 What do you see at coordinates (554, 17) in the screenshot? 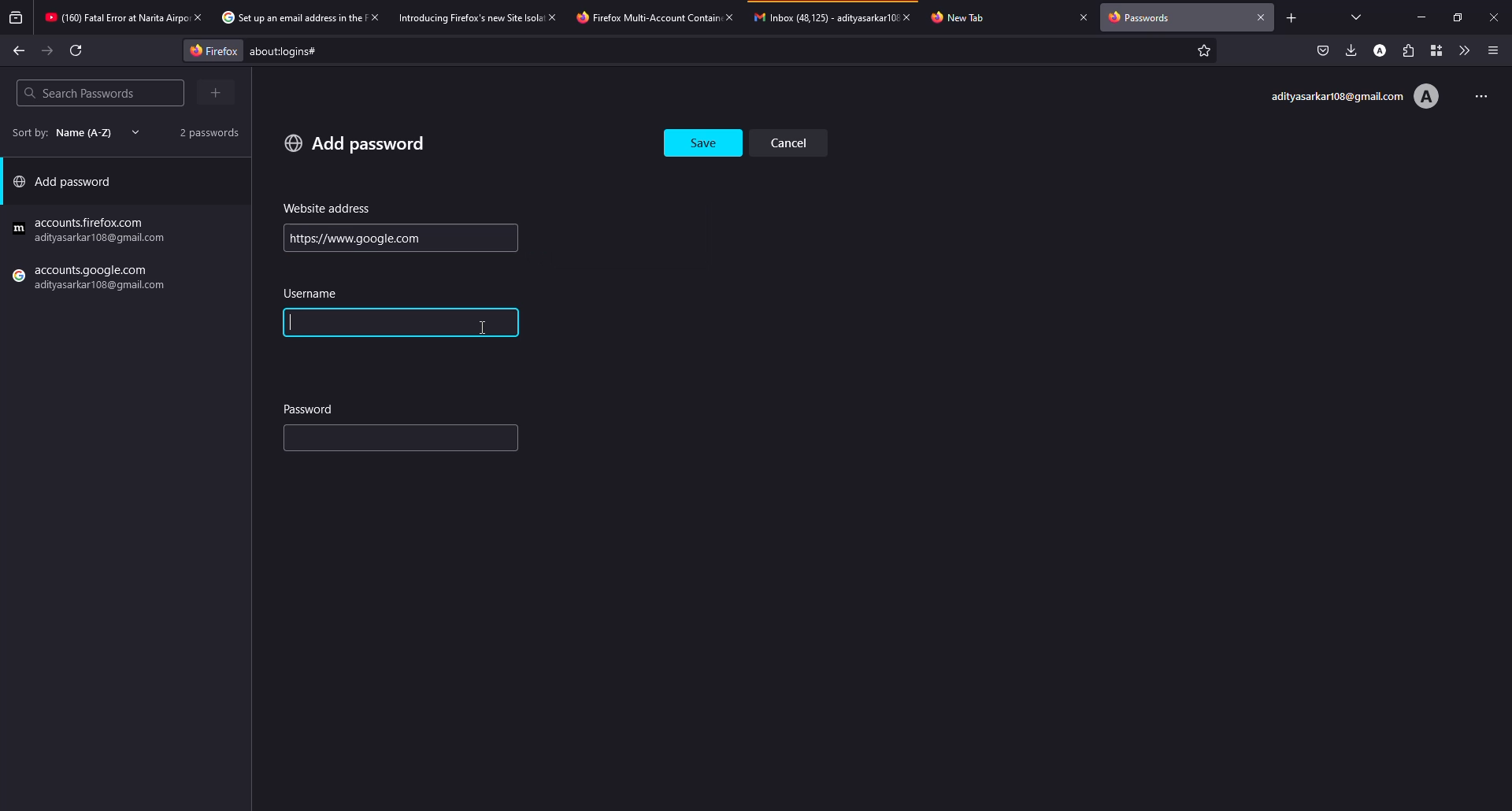
I see `close` at bounding box center [554, 17].